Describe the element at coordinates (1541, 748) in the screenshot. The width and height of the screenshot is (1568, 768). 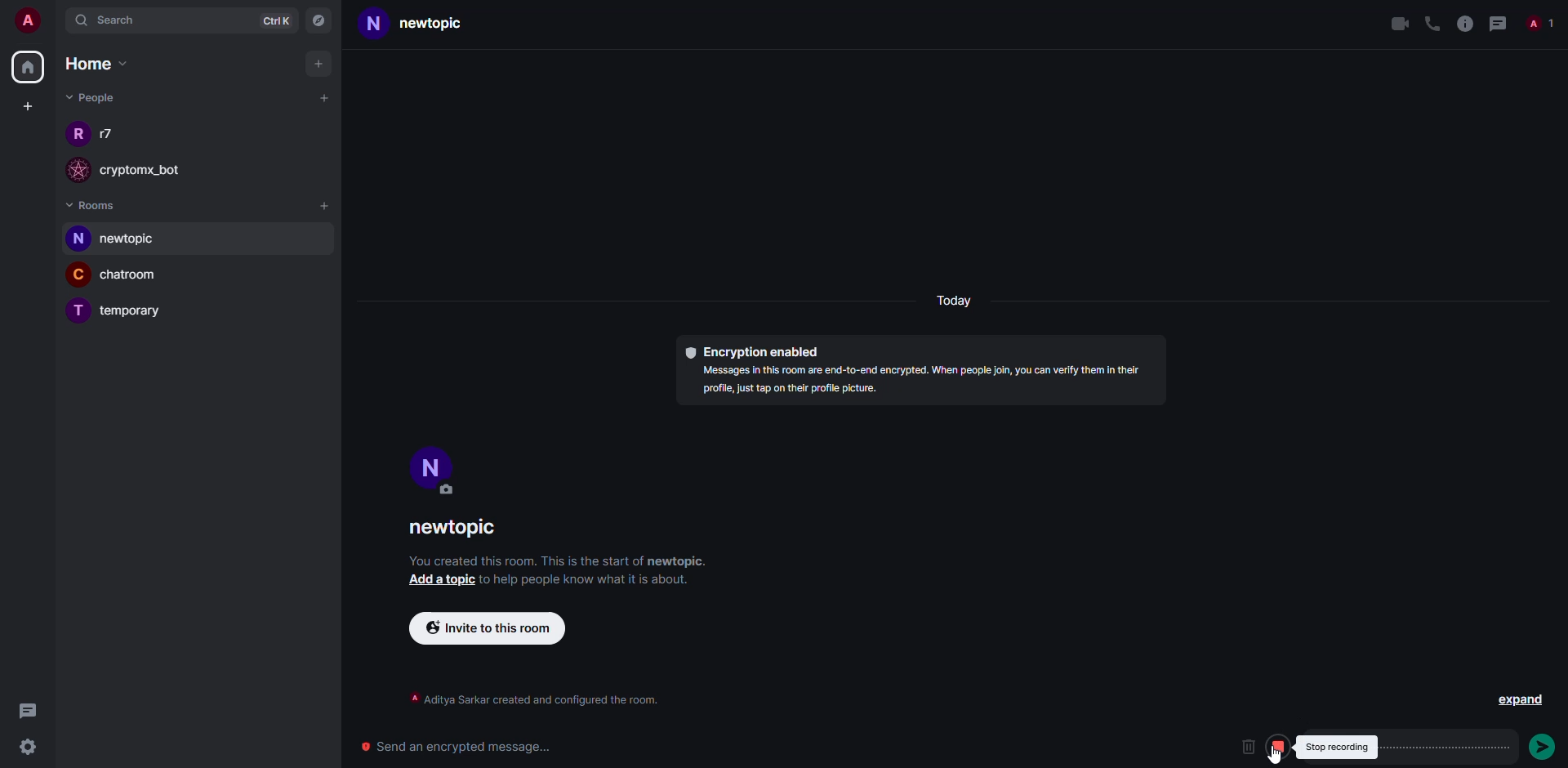
I see `send` at that location.